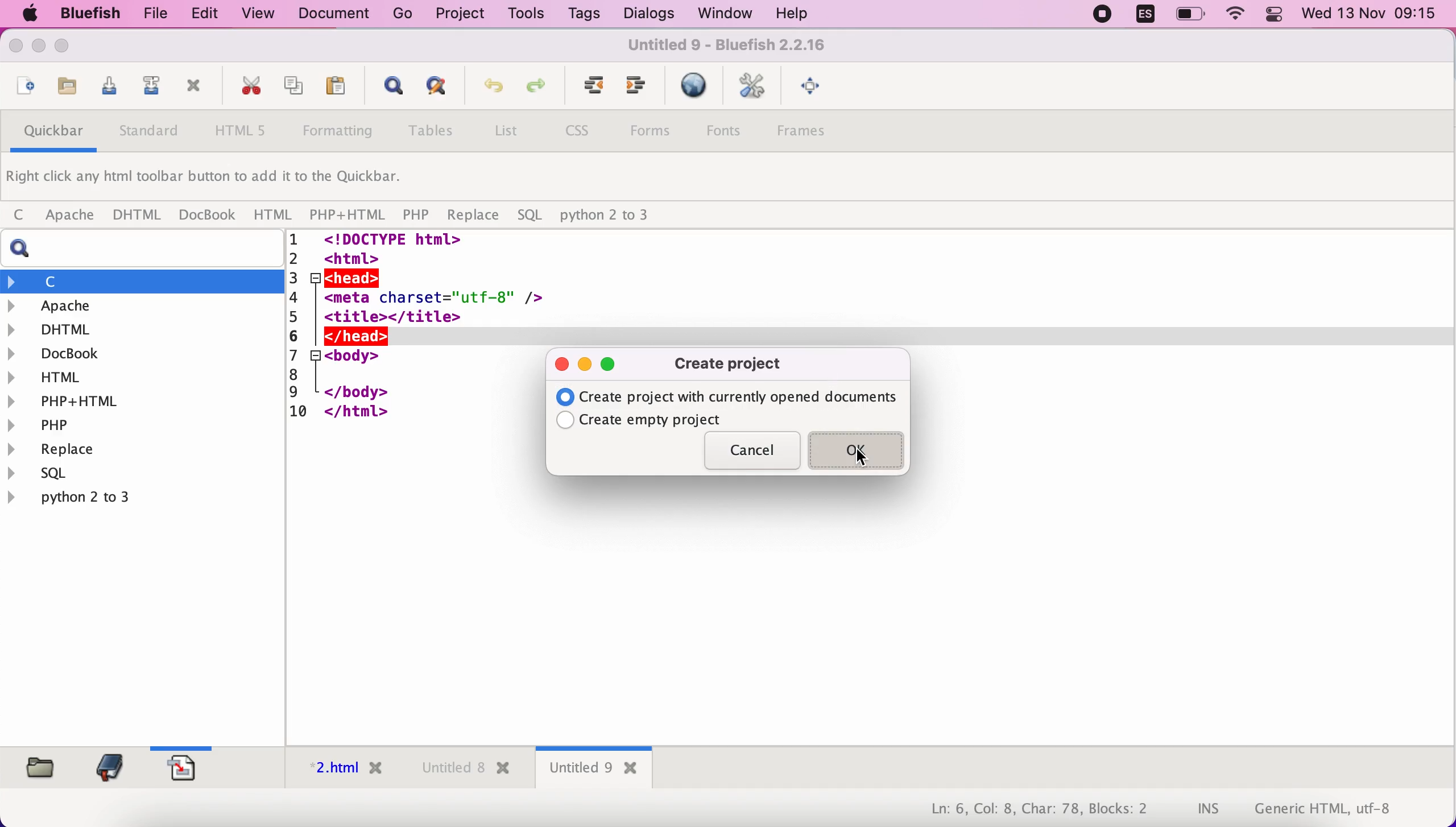 This screenshot has height=827, width=1456. Describe the element at coordinates (1371, 15) in the screenshot. I see `time and date` at that location.